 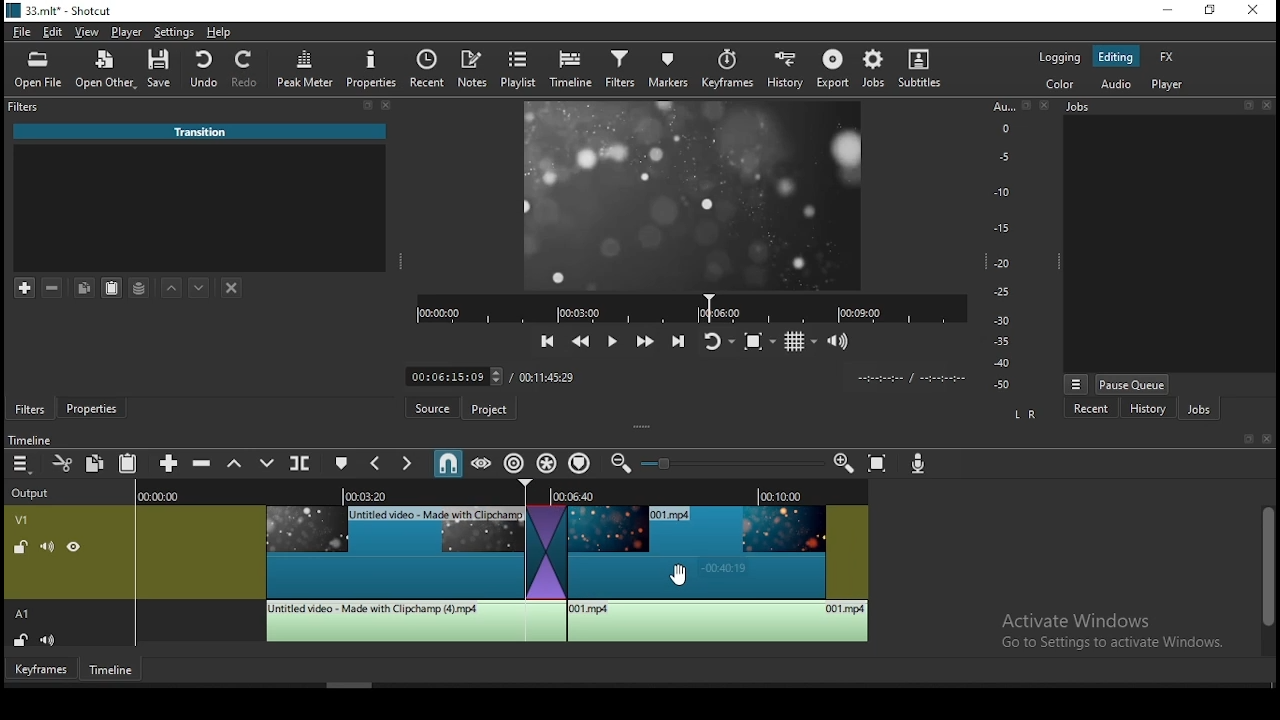 I want to click on paste filter, so click(x=111, y=286).